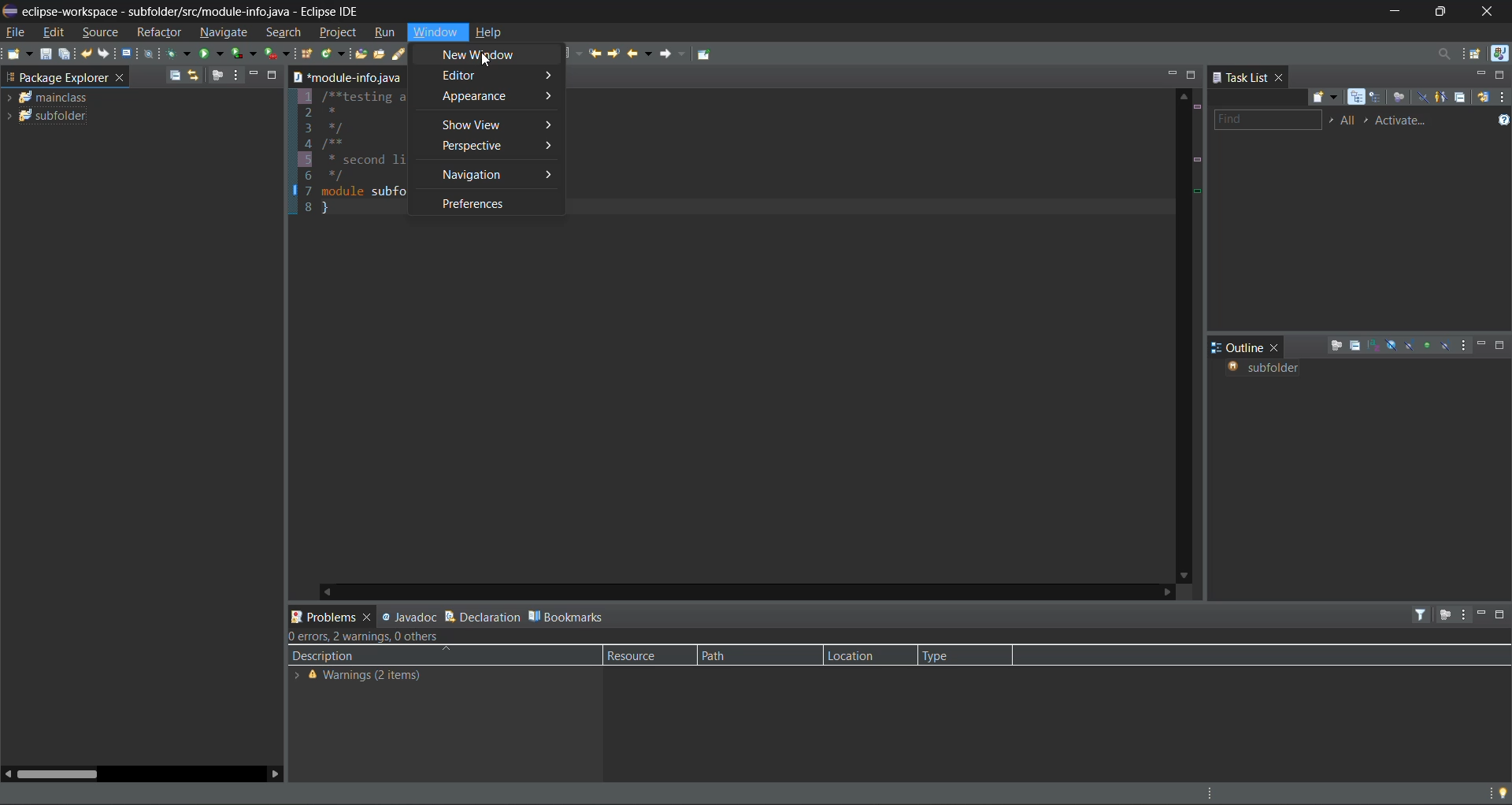 The height and width of the screenshot is (805, 1512). Describe the element at coordinates (1196, 186) in the screenshot. I see `data markers` at that location.